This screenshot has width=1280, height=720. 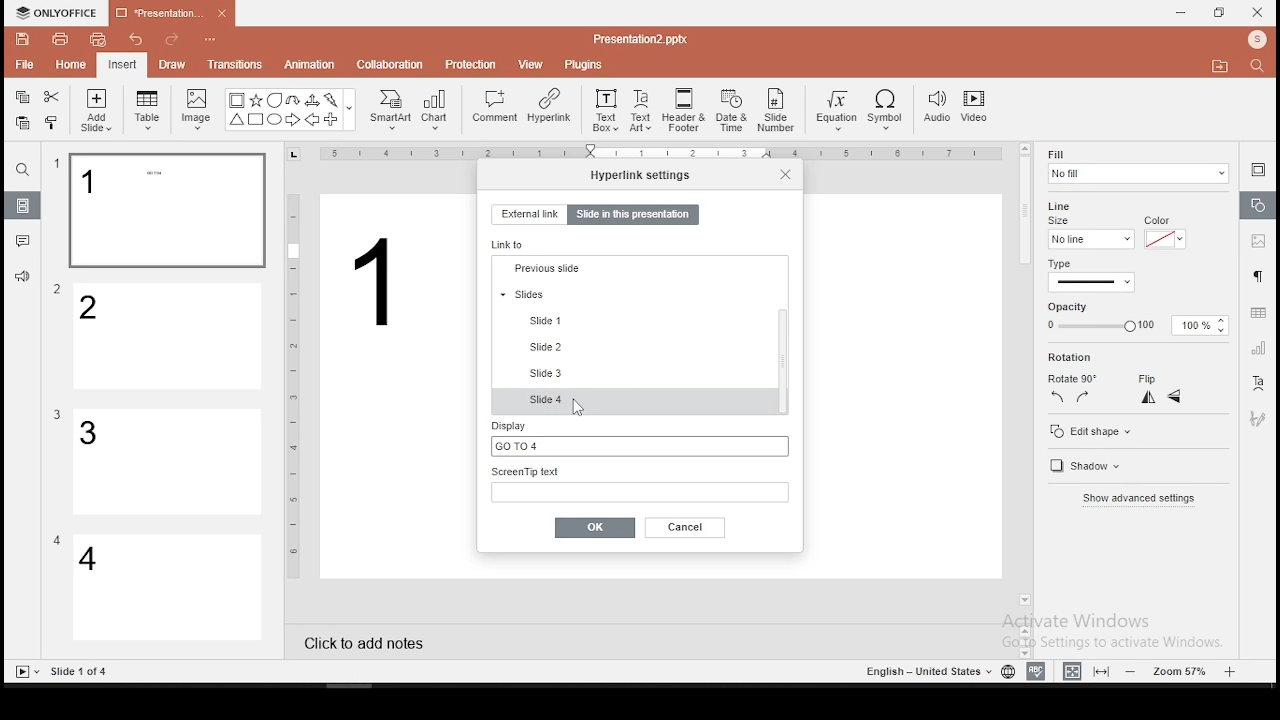 I want to click on image settings, so click(x=1256, y=243).